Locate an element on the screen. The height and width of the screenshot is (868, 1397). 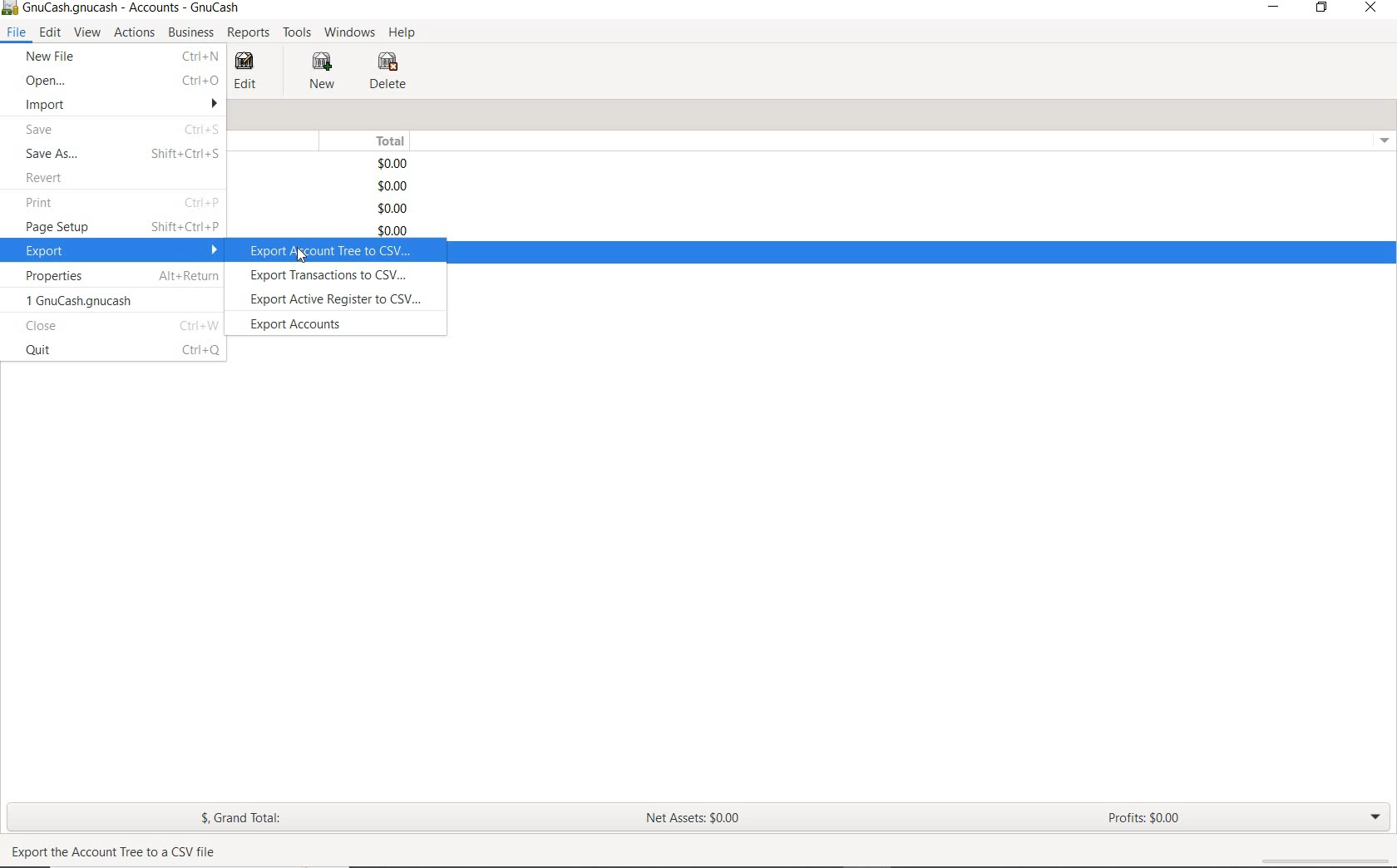
TOTAL is located at coordinates (393, 141).